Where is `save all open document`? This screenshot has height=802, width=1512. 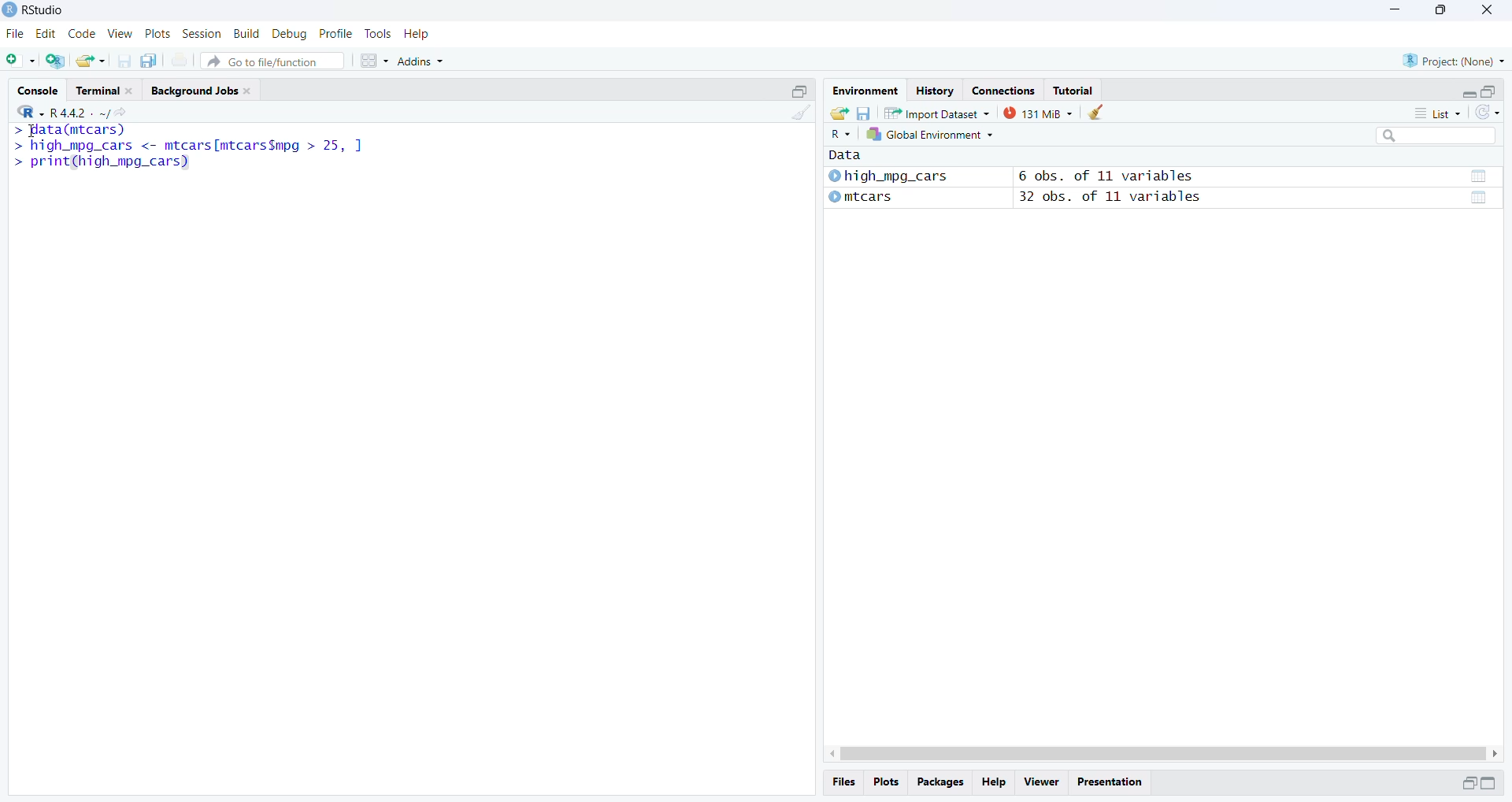 save all open document is located at coordinates (151, 61).